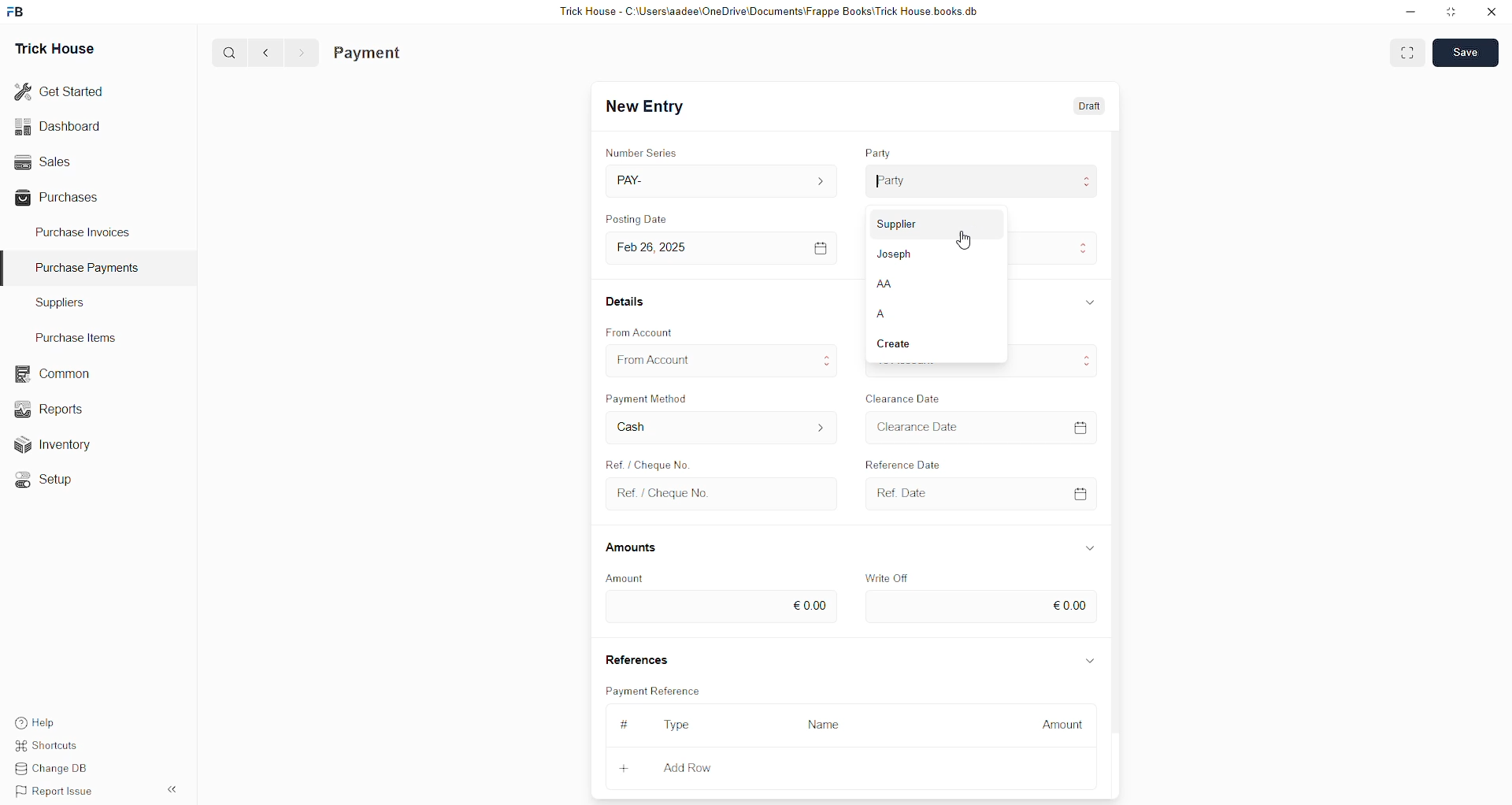 The image size is (1512, 805). What do you see at coordinates (965, 243) in the screenshot?
I see `cursor` at bounding box center [965, 243].